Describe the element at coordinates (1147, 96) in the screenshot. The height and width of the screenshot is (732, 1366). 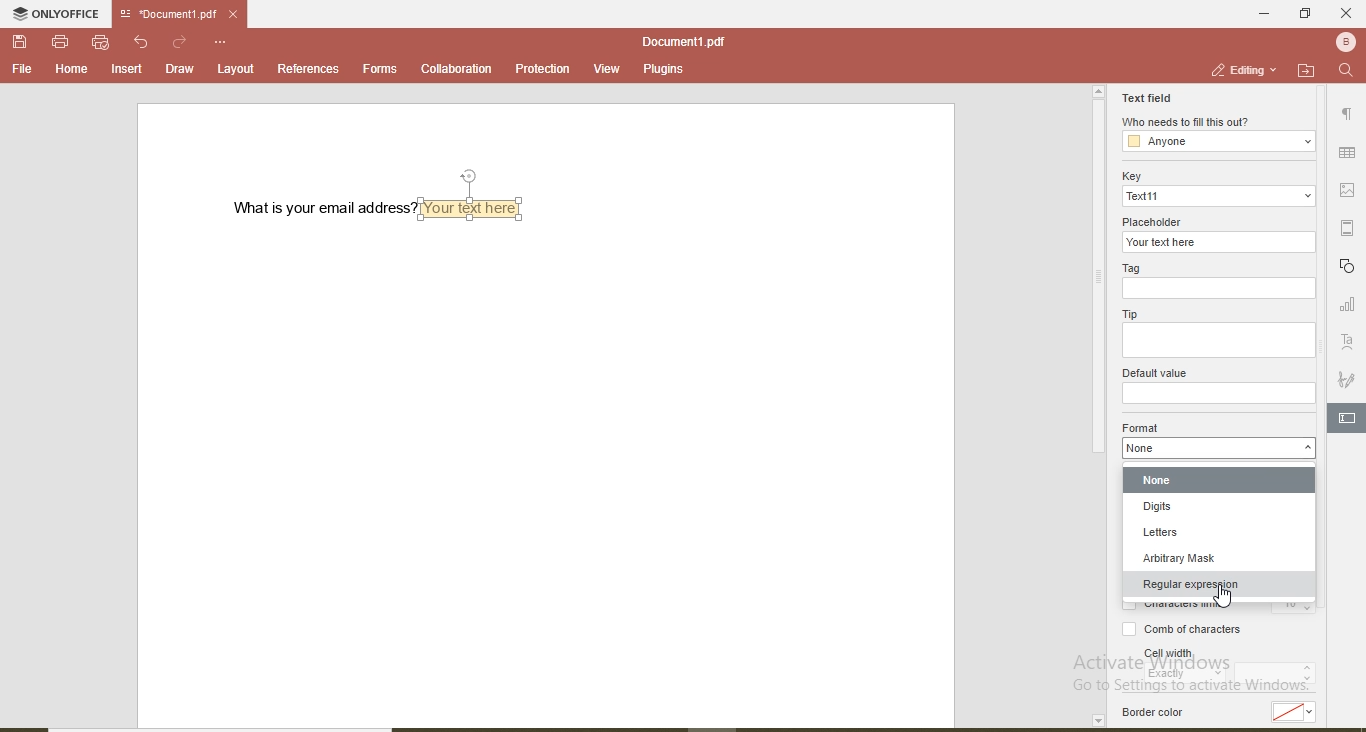
I see `text field ` at that location.